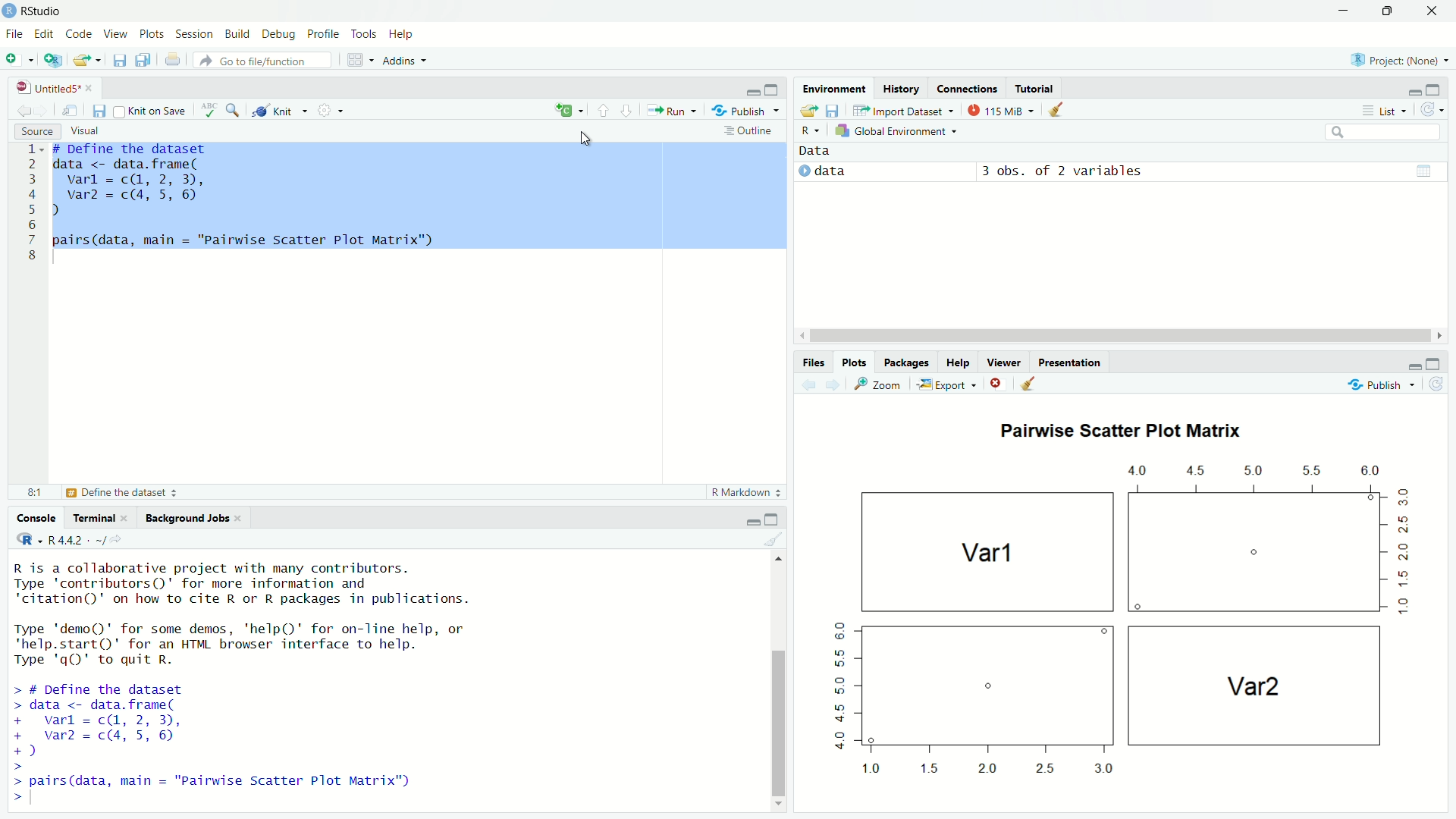 Image resolution: width=1456 pixels, height=819 pixels. What do you see at coordinates (366, 33) in the screenshot?
I see `Tools` at bounding box center [366, 33].